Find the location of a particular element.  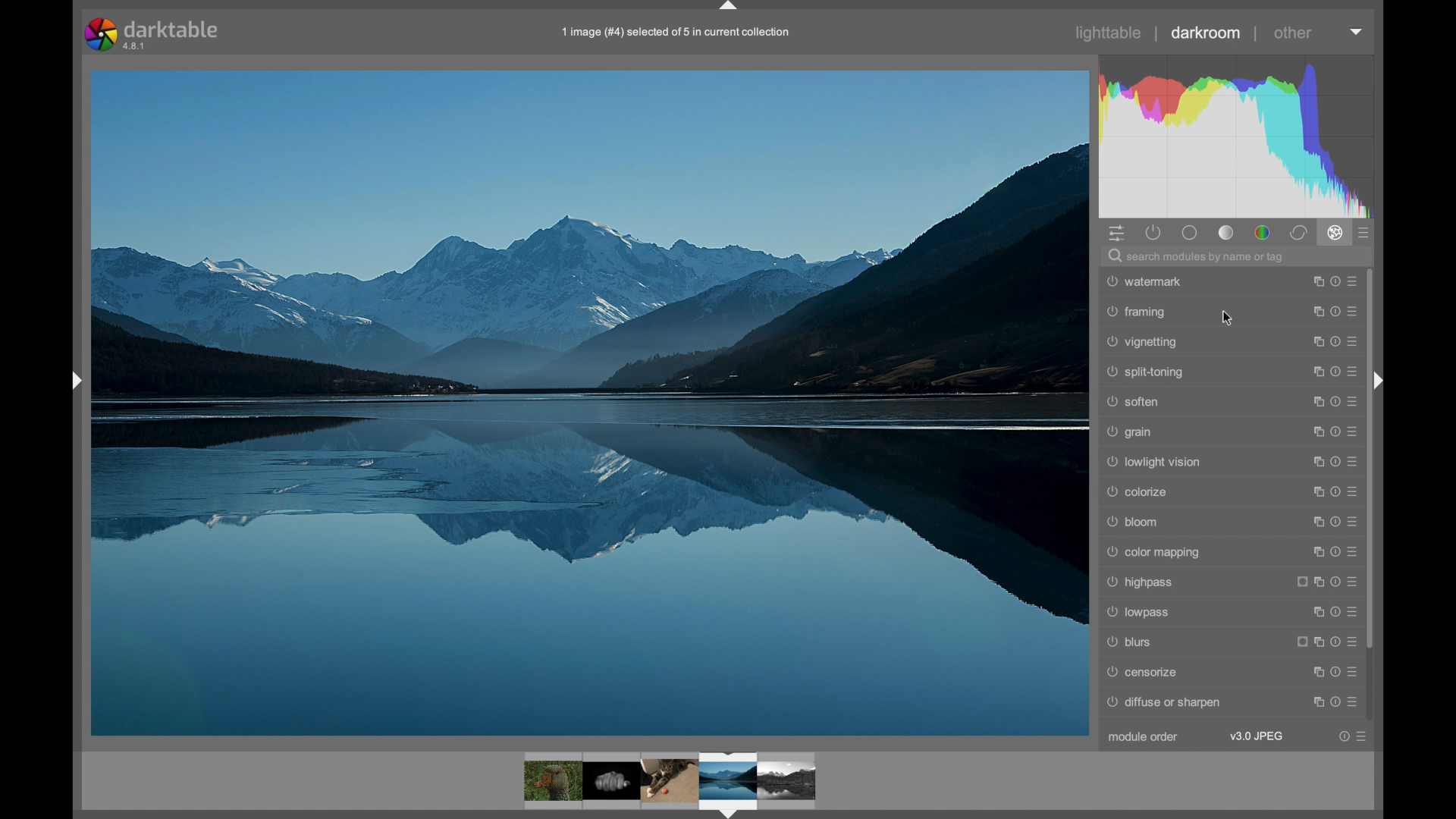

lowpass is located at coordinates (1138, 613).